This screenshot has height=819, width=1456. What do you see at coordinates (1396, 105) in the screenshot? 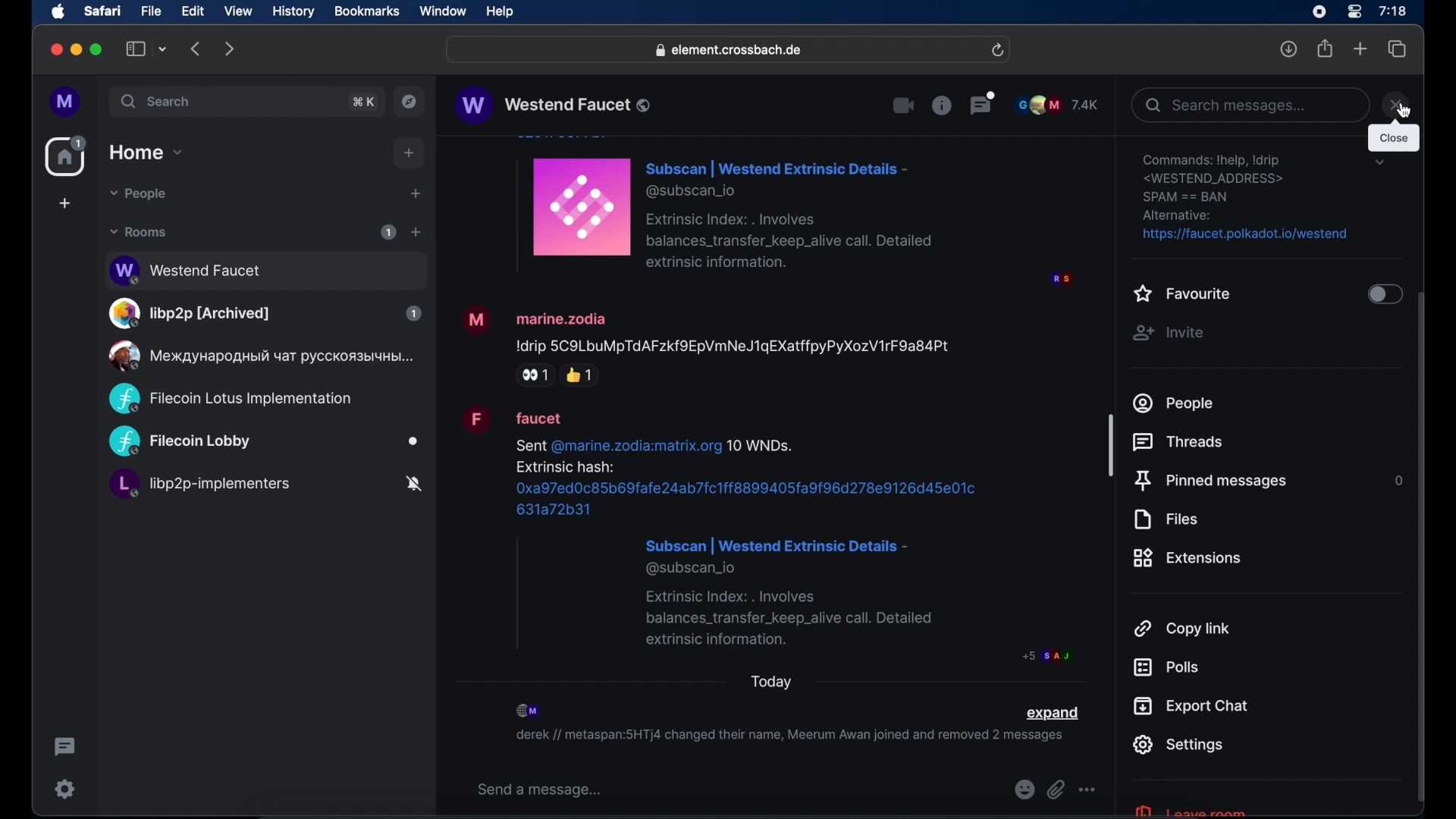
I see `close` at bounding box center [1396, 105].